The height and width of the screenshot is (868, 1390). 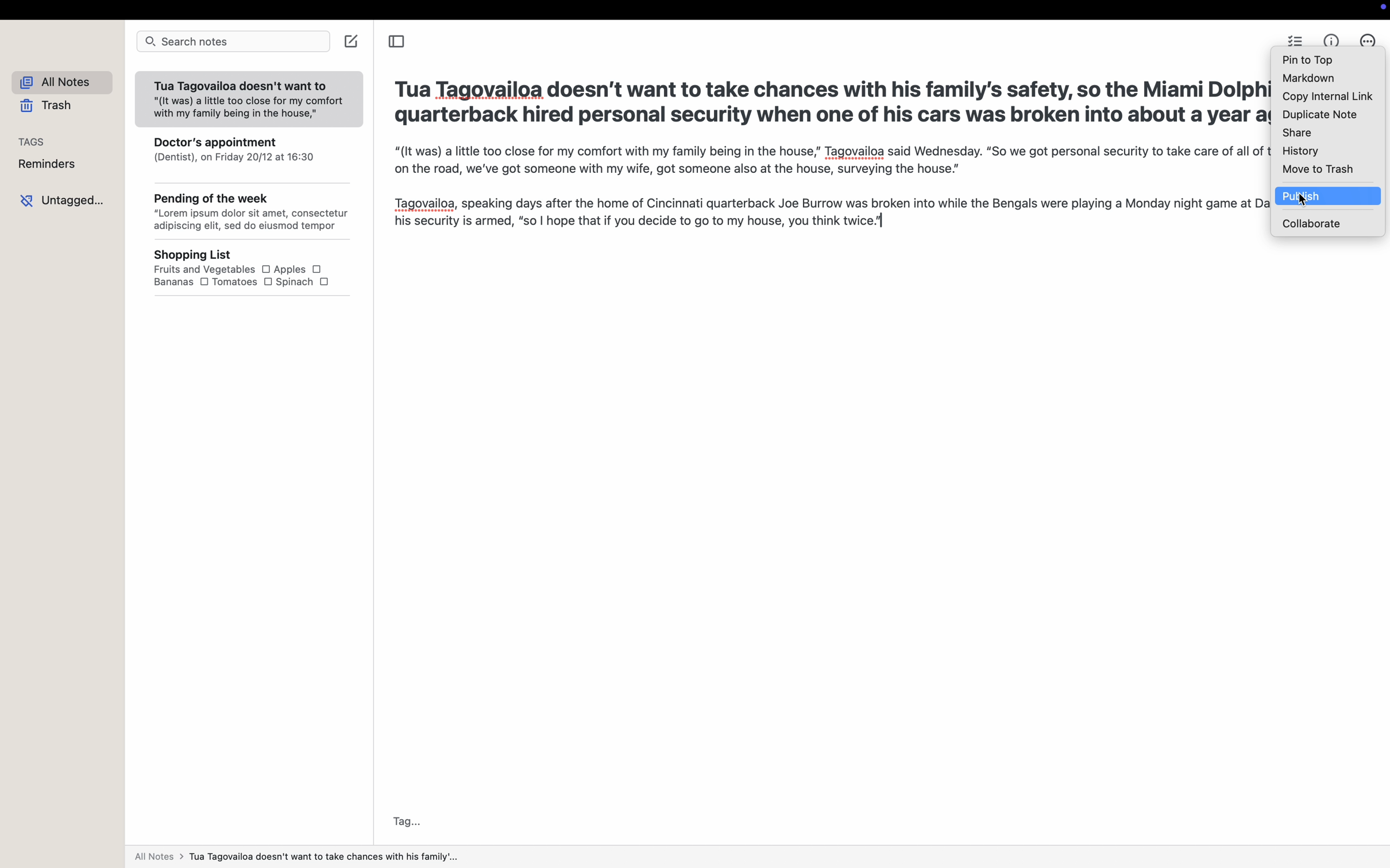 What do you see at coordinates (1300, 152) in the screenshot?
I see `history` at bounding box center [1300, 152].